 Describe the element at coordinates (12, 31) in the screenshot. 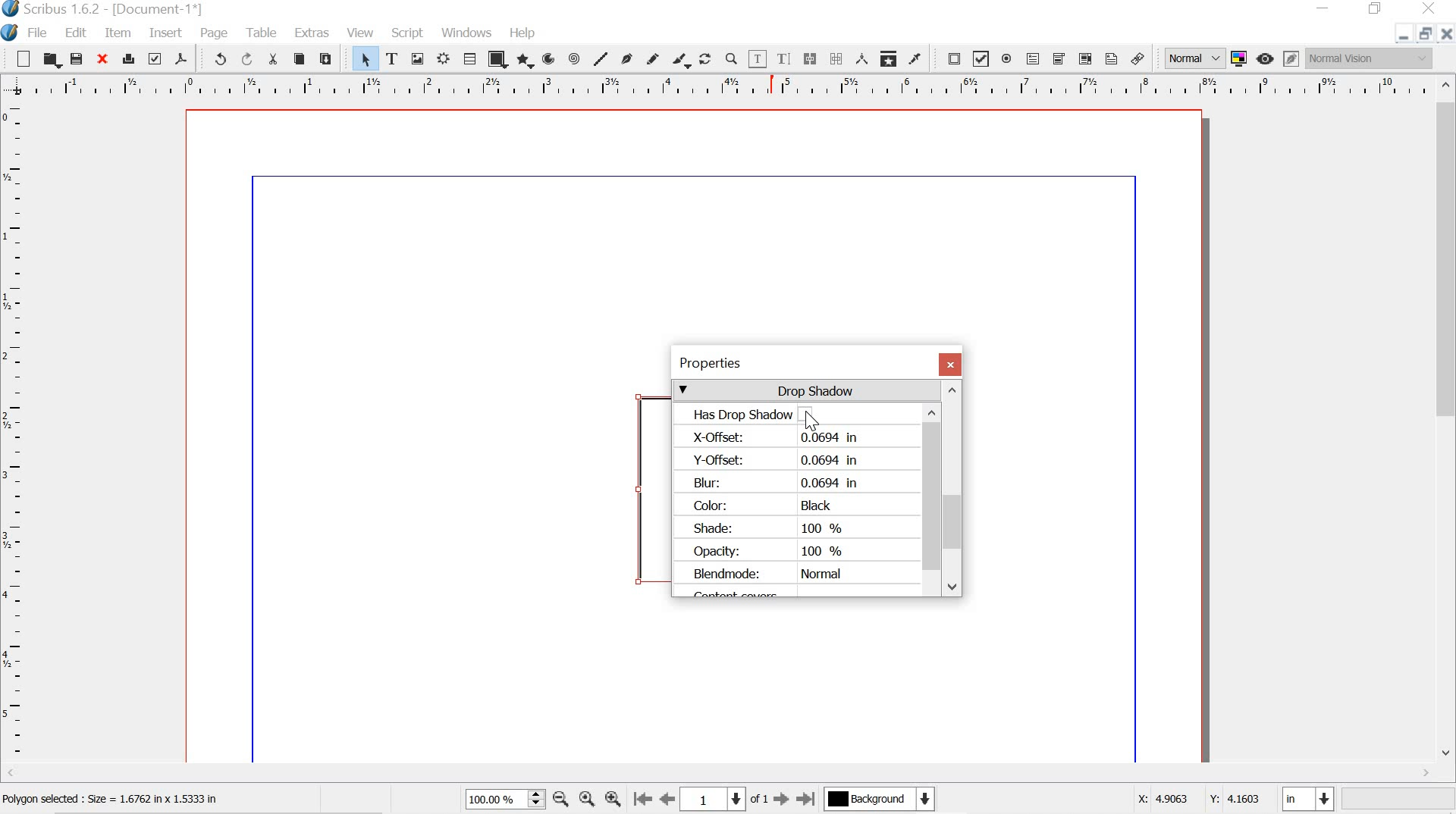

I see `SYSTEM LOGO` at that location.